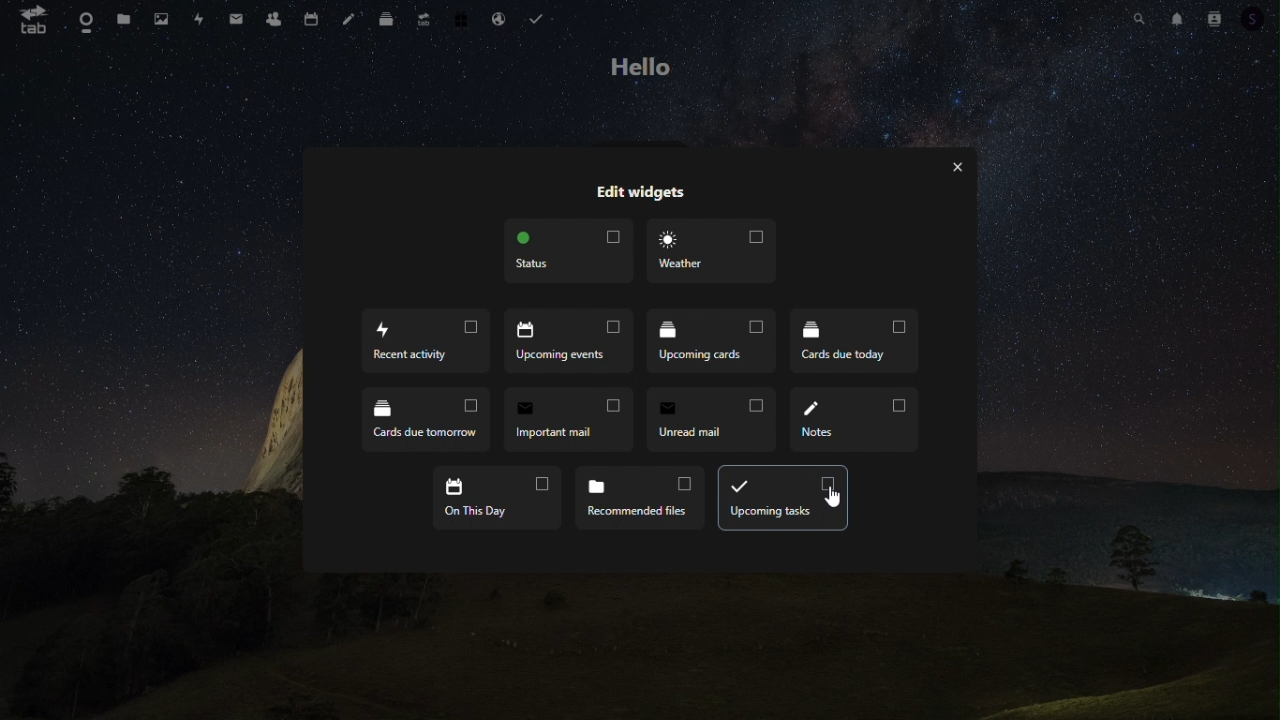 The image size is (1280, 720). I want to click on upcoming tasks, so click(782, 498).